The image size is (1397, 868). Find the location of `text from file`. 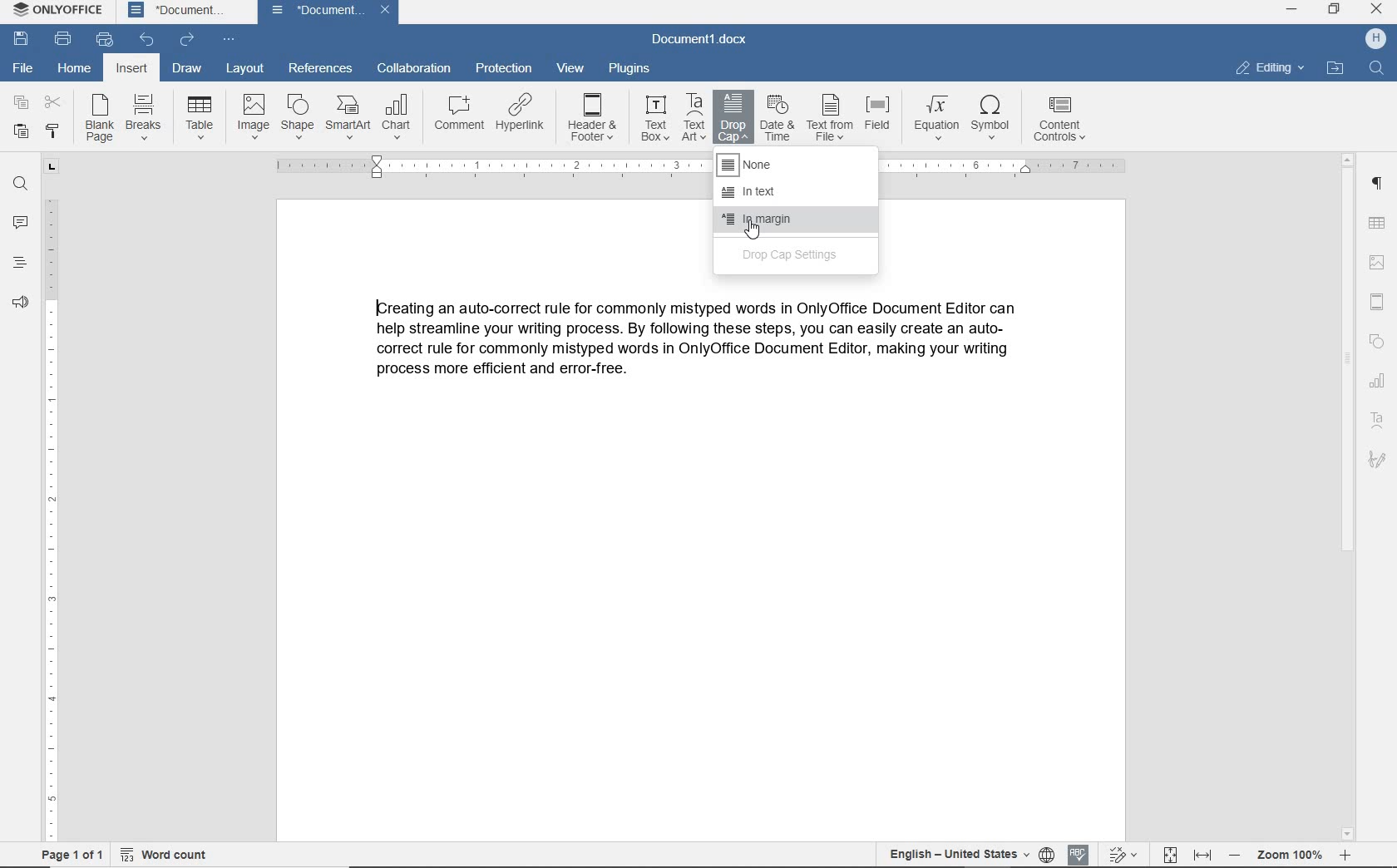

text from file is located at coordinates (831, 118).